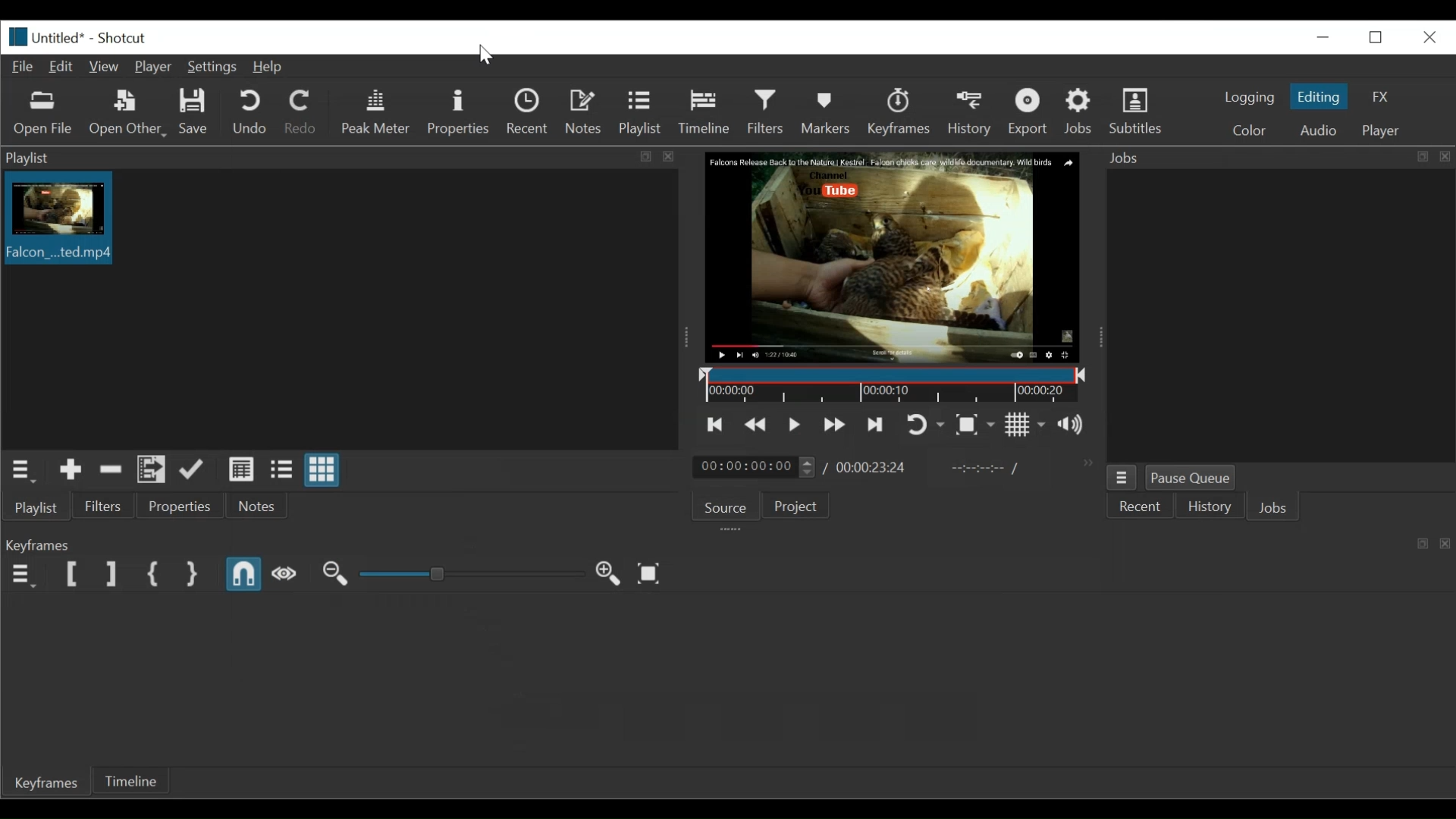 The width and height of the screenshot is (1456, 819). What do you see at coordinates (128, 112) in the screenshot?
I see `Open Other` at bounding box center [128, 112].